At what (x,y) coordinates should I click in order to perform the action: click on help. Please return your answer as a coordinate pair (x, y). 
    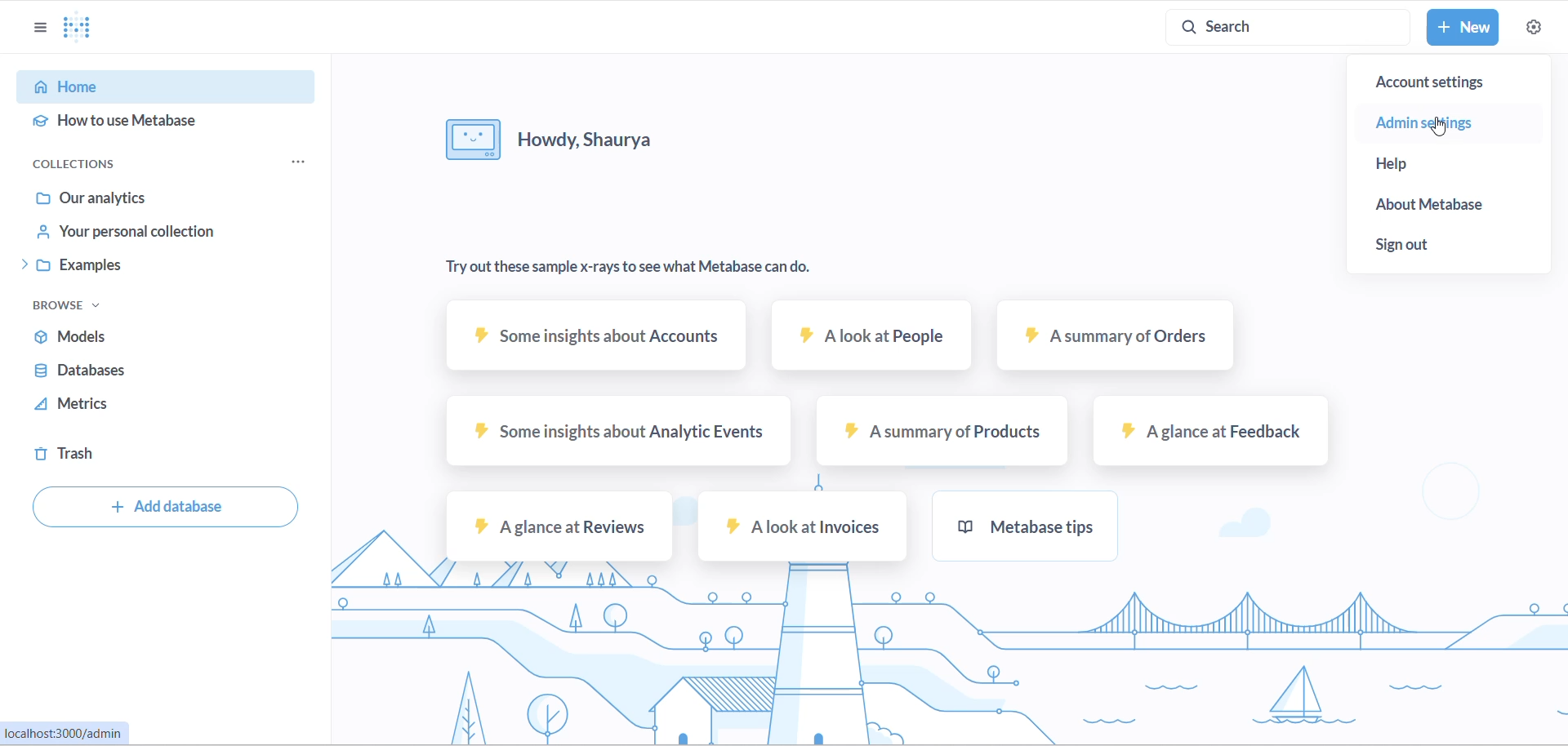
    Looking at the image, I should click on (1440, 163).